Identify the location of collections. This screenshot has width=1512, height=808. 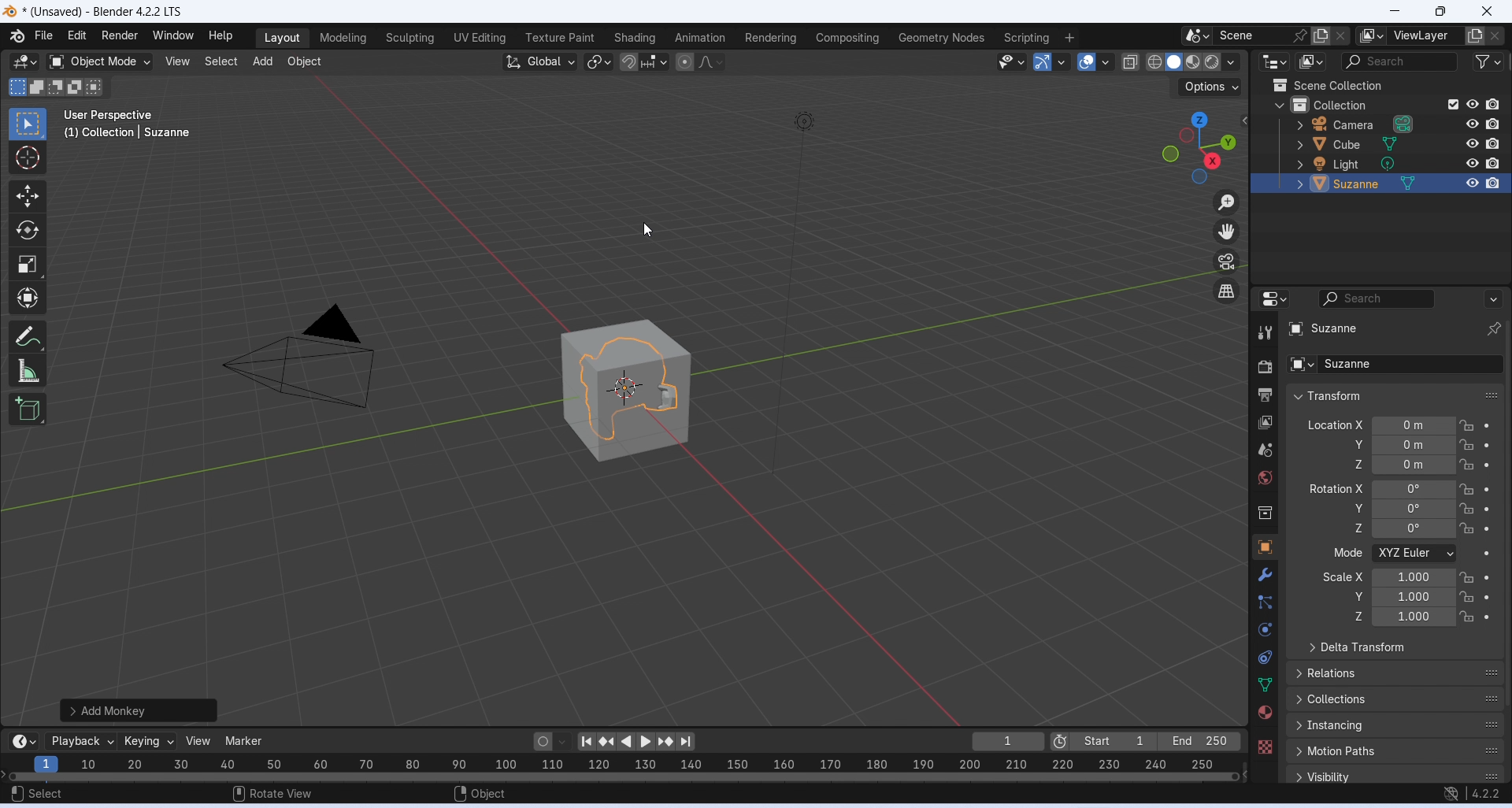
(1395, 700).